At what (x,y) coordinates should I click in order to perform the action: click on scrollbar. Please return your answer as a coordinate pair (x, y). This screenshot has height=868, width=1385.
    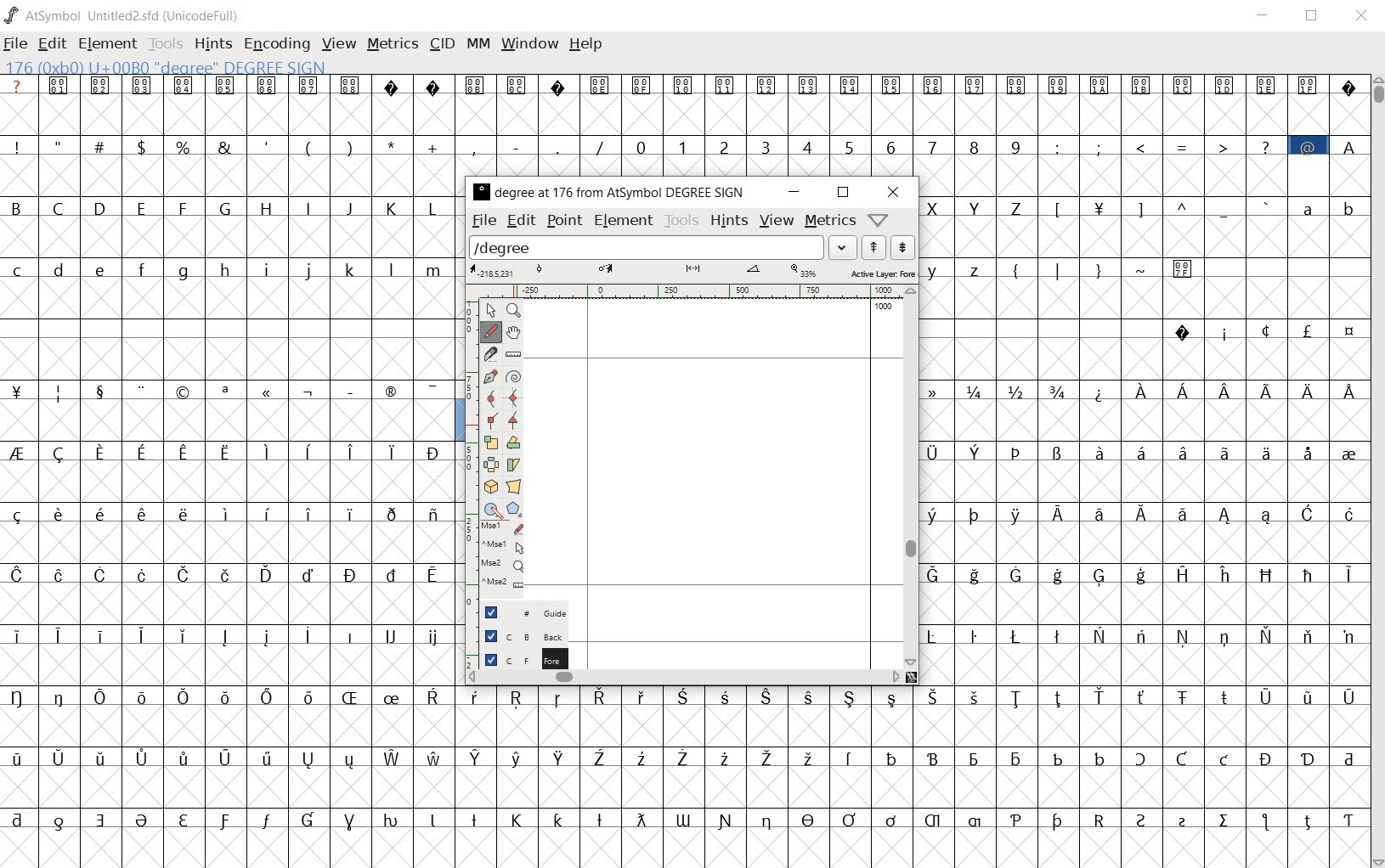
    Looking at the image, I should click on (683, 679).